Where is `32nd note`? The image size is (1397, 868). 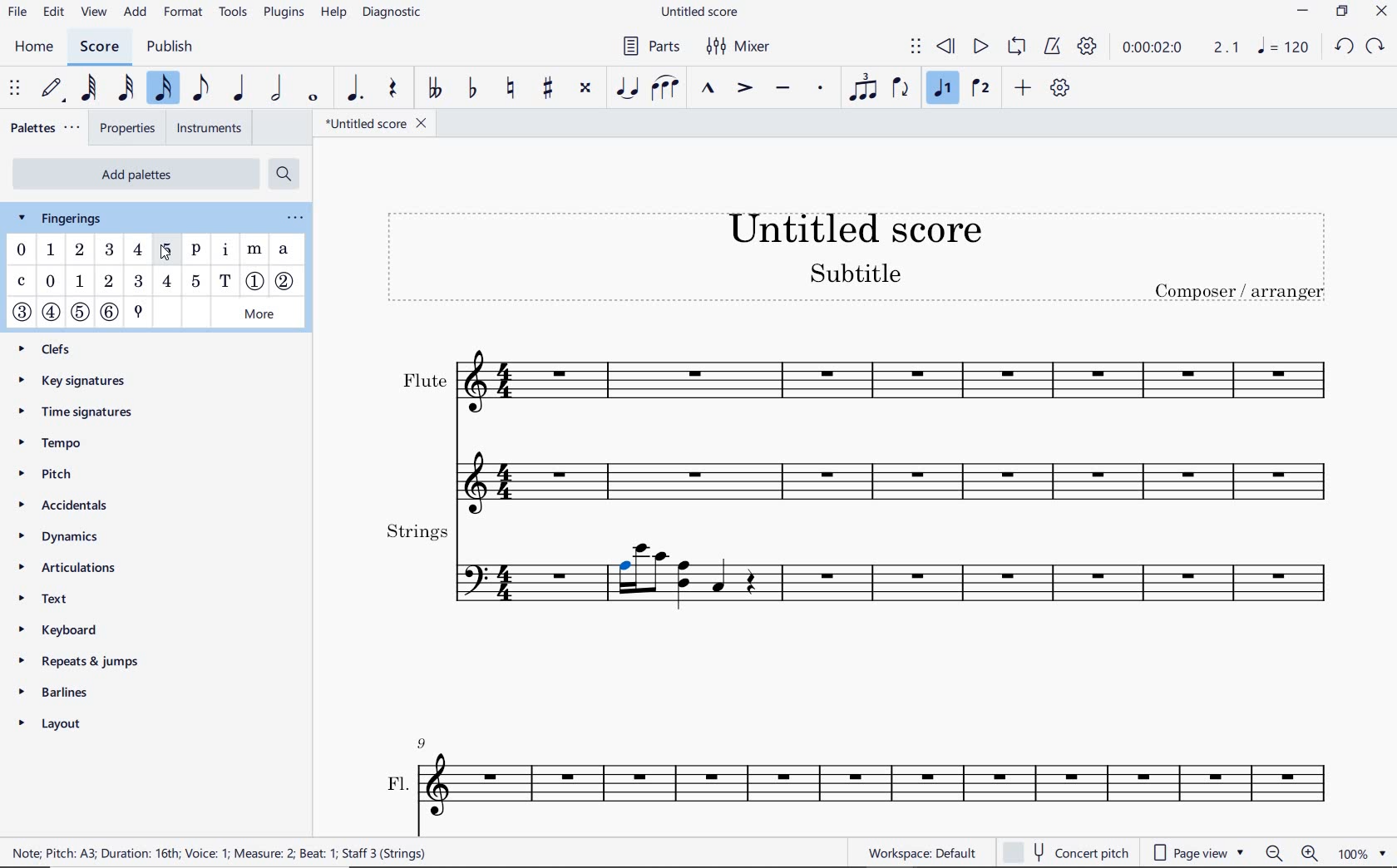
32nd note is located at coordinates (126, 86).